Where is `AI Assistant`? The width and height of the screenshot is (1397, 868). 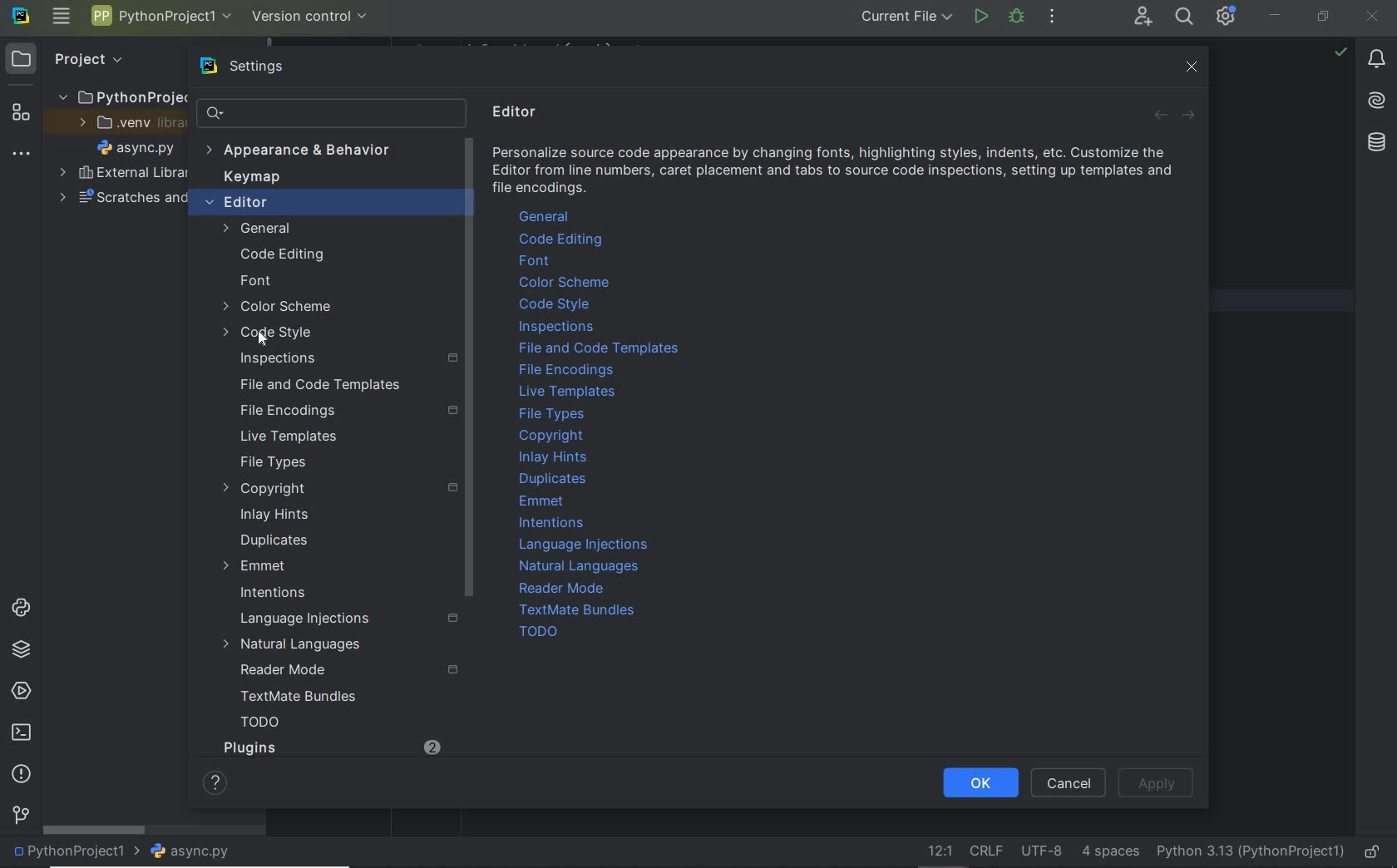
AI Assistant is located at coordinates (1376, 101).